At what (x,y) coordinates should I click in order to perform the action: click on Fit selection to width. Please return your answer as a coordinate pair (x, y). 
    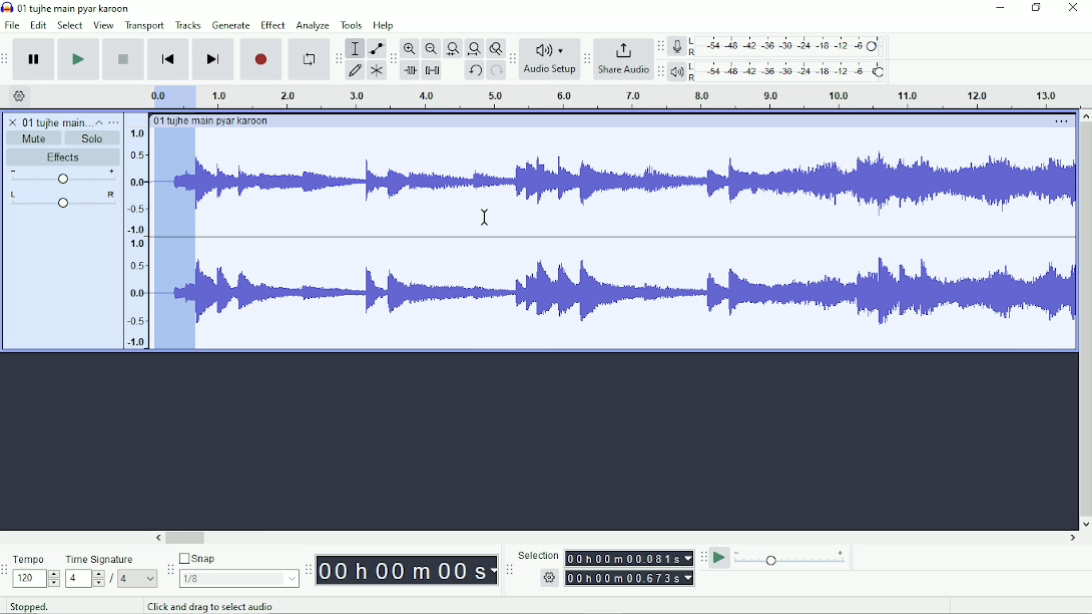
    Looking at the image, I should click on (453, 50).